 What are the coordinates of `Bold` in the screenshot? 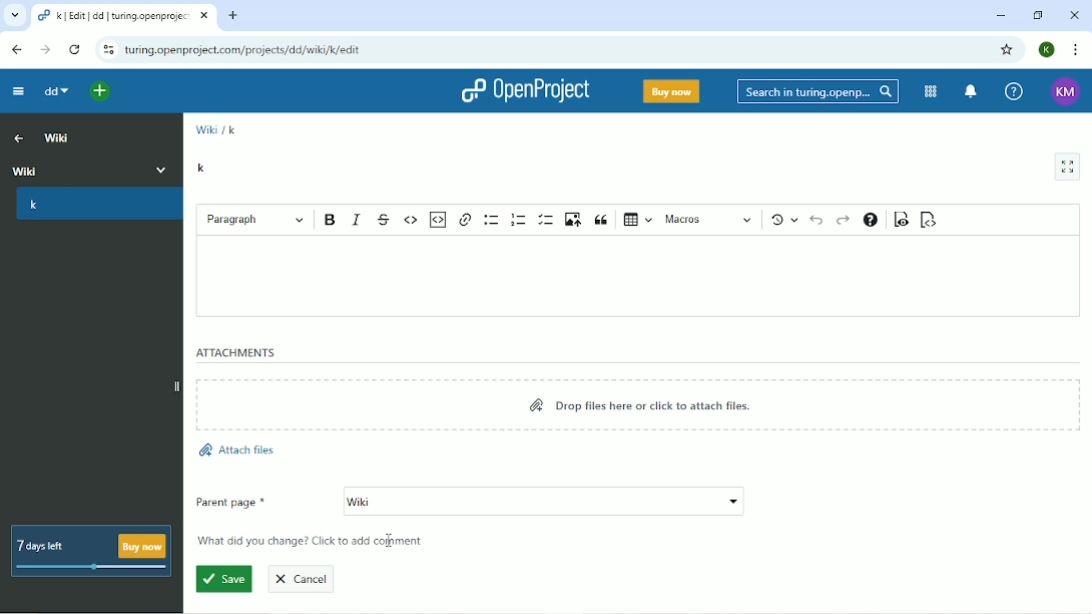 It's located at (330, 219).